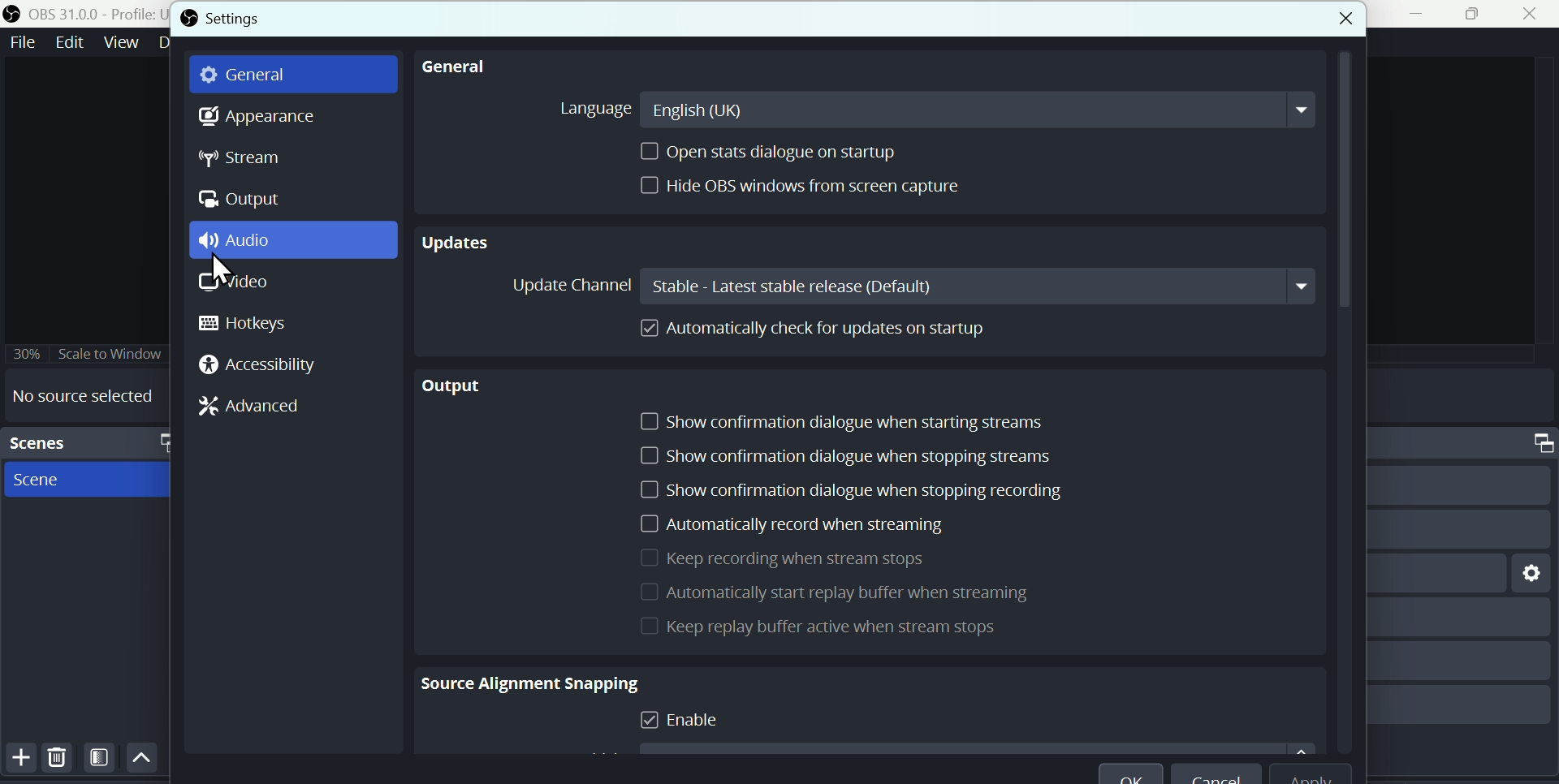 Image resolution: width=1559 pixels, height=784 pixels. Describe the element at coordinates (847, 595) in the screenshot. I see `Automatically start replay buffer when streaming` at that location.